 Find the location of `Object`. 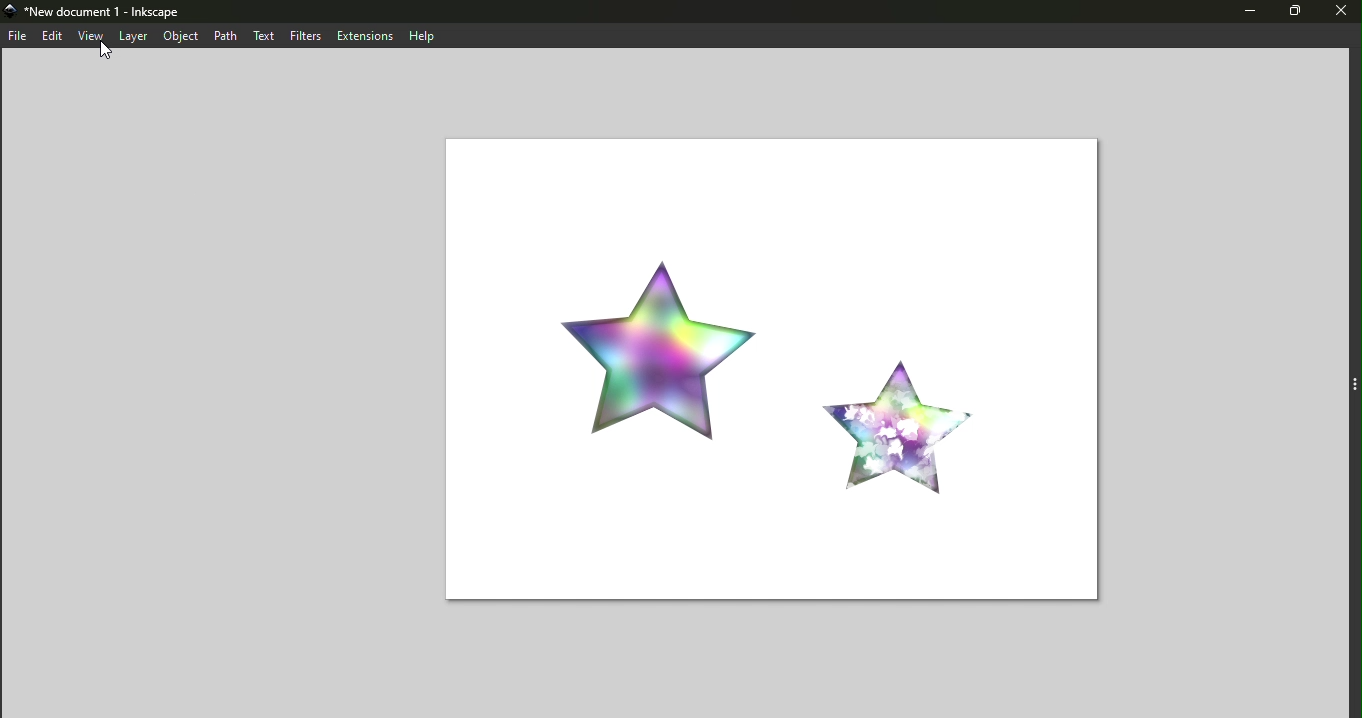

Object is located at coordinates (181, 35).